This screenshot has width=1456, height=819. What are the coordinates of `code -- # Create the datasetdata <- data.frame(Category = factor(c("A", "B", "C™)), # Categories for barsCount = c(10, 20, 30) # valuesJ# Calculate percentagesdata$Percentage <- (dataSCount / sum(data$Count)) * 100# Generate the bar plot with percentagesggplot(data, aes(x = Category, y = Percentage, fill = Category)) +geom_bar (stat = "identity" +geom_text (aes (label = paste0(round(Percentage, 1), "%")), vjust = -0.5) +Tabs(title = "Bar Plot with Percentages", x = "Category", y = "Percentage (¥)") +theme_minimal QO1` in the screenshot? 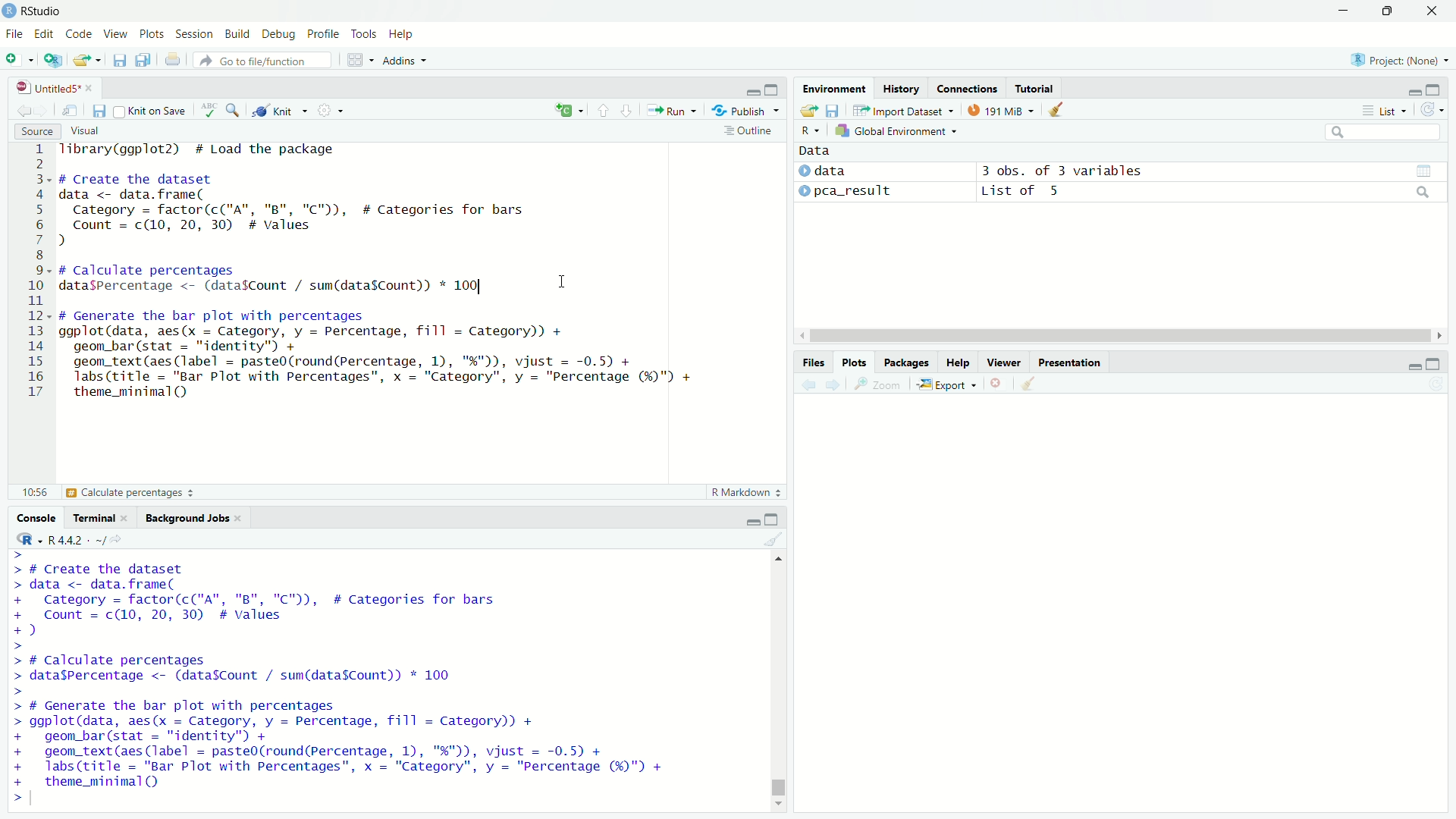 It's located at (355, 679).